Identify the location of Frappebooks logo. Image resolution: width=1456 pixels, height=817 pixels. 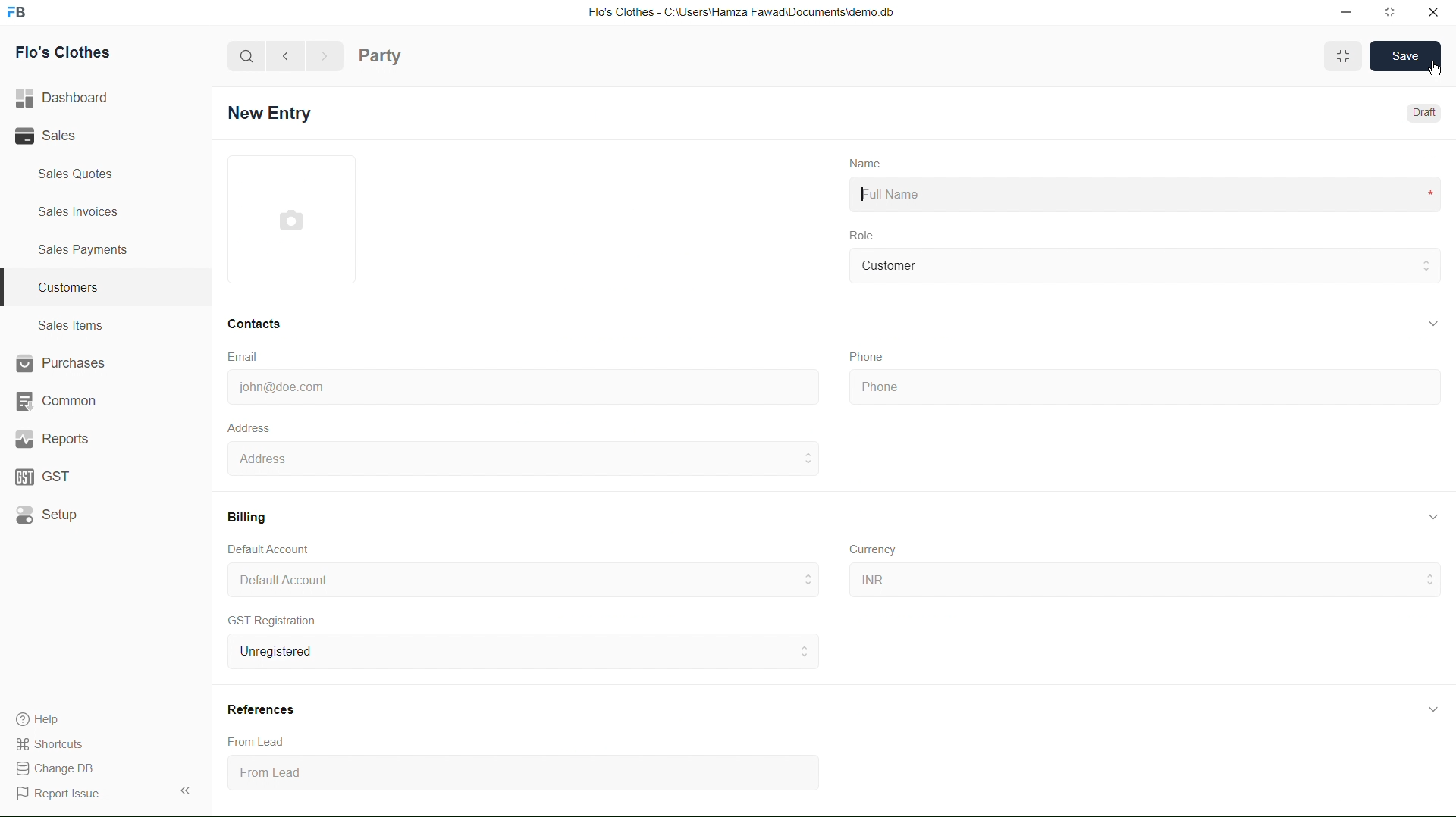
(24, 14).